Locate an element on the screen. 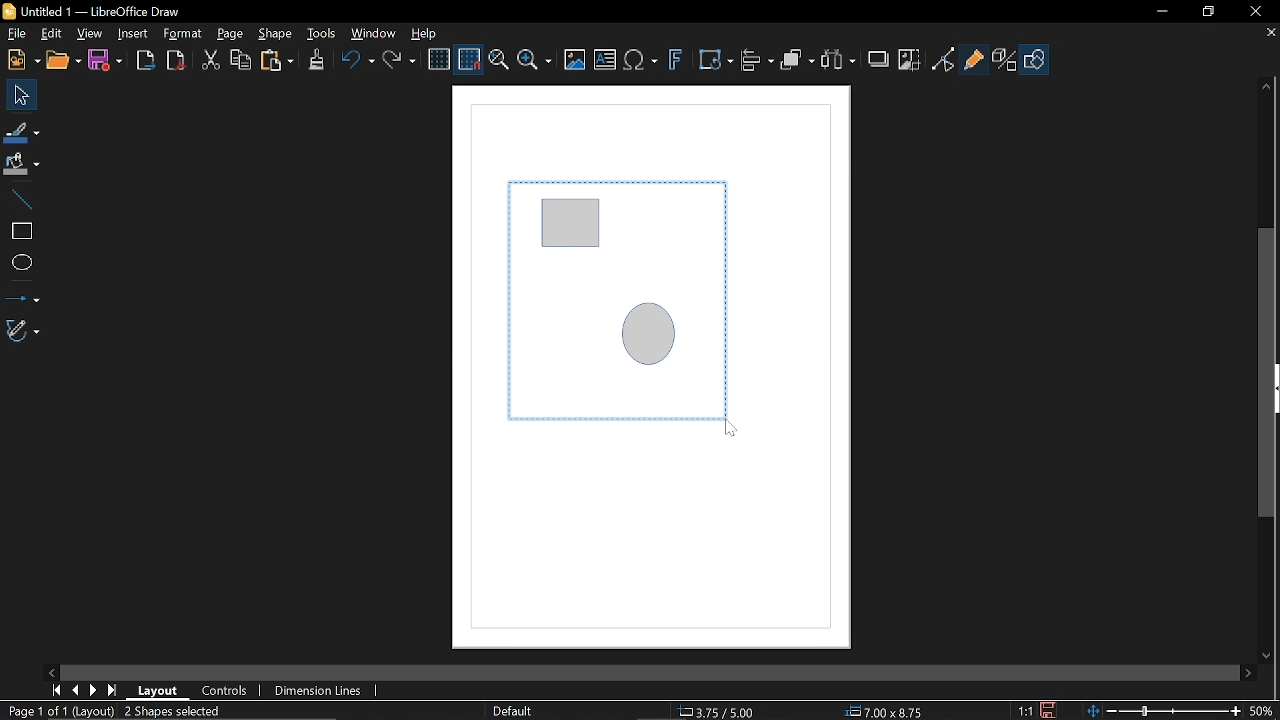 This screenshot has width=1280, height=720. Line is located at coordinates (21, 197).